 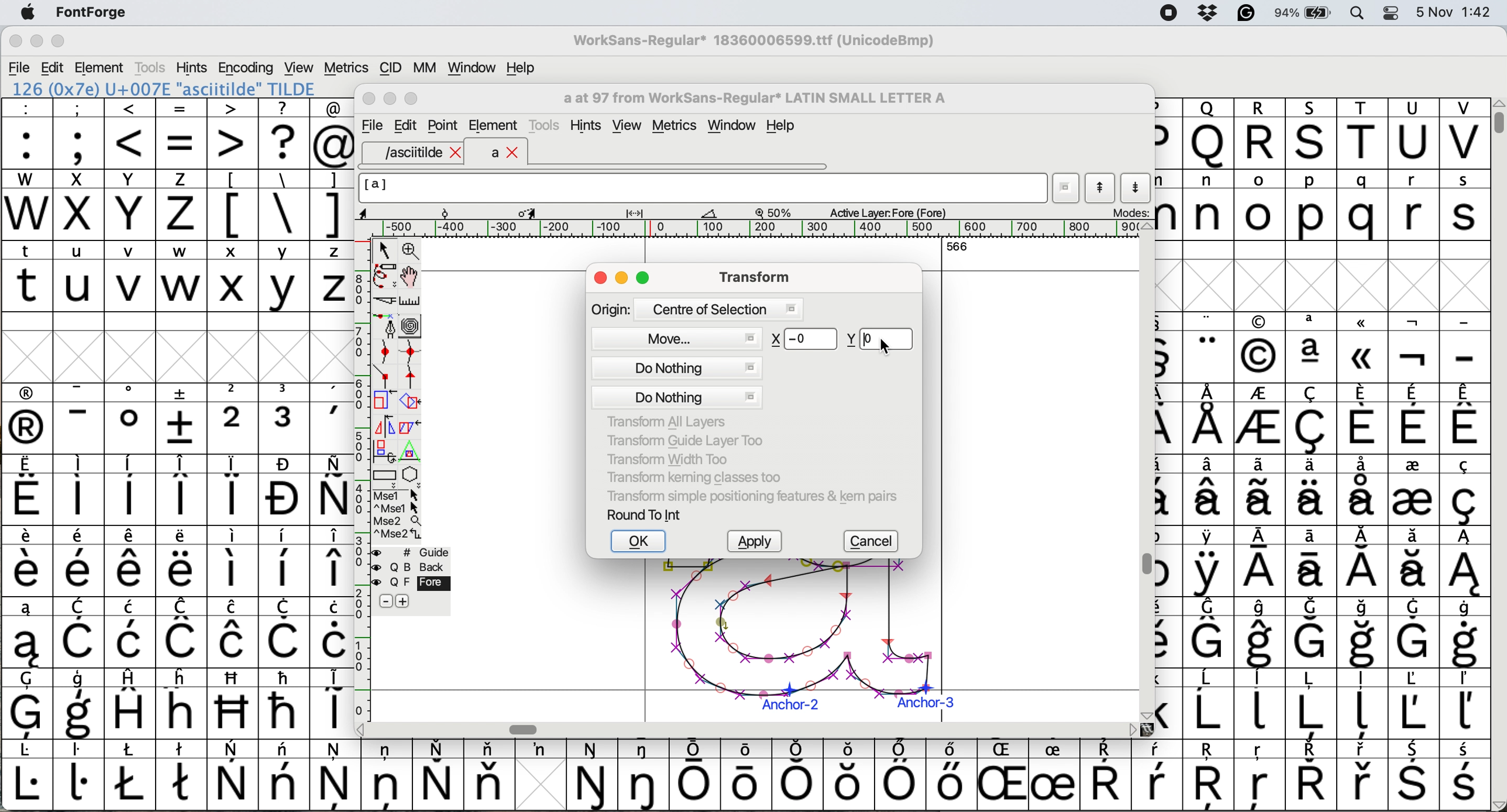 What do you see at coordinates (780, 127) in the screenshot?
I see `Help` at bounding box center [780, 127].